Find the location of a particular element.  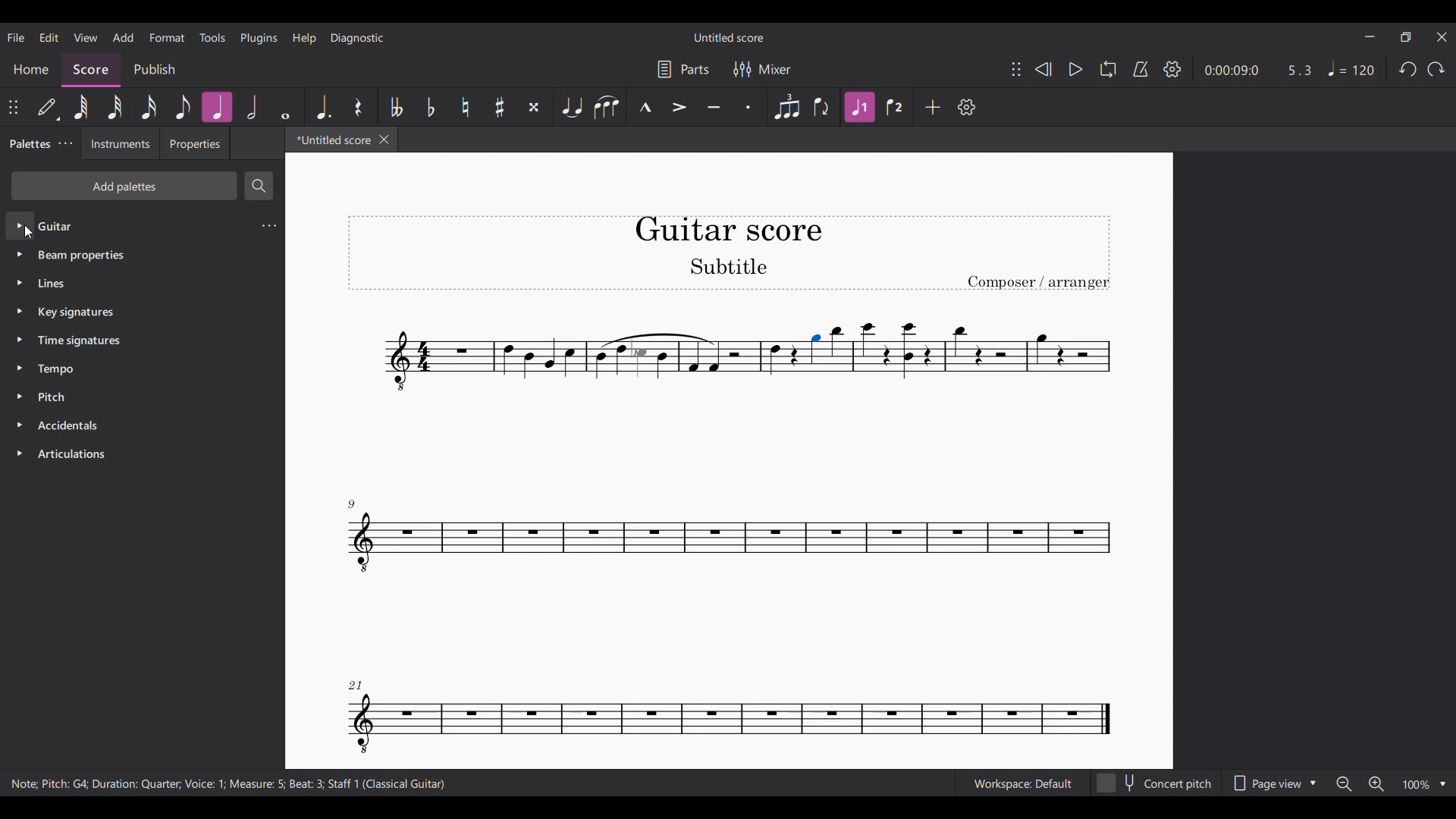

Edit menu is located at coordinates (49, 38).